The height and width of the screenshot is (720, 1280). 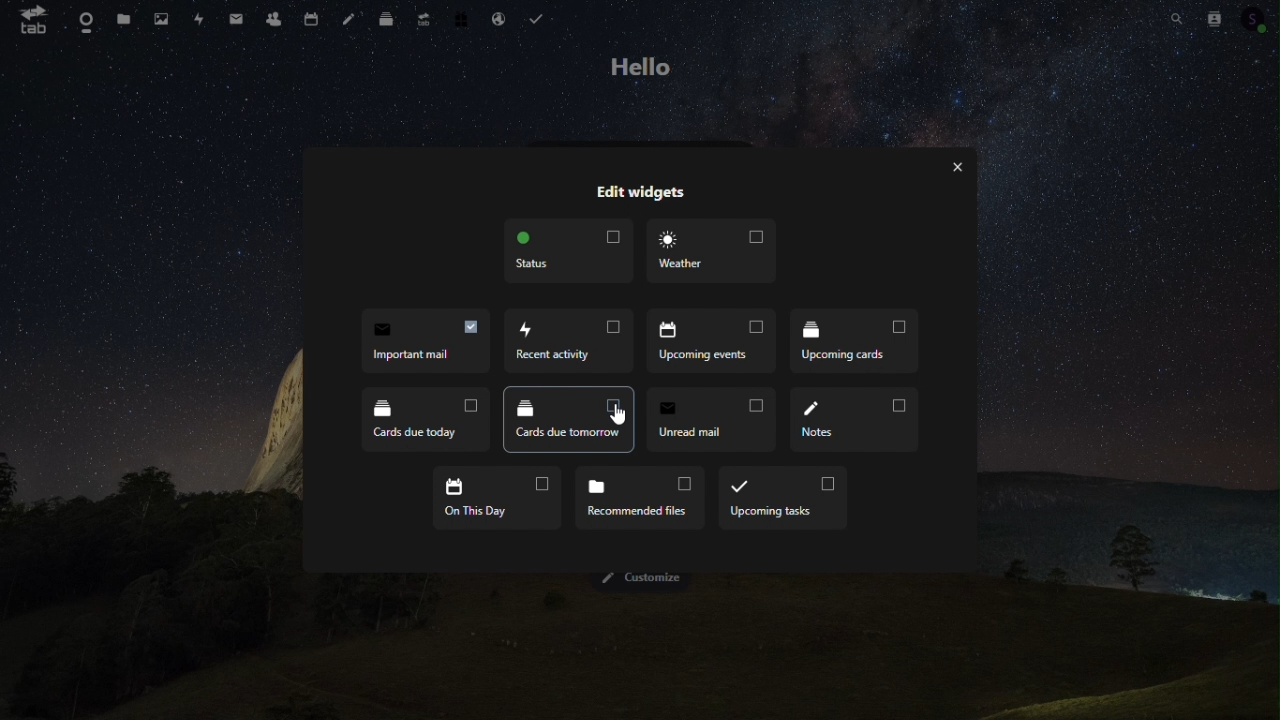 I want to click on On this day, so click(x=497, y=497).